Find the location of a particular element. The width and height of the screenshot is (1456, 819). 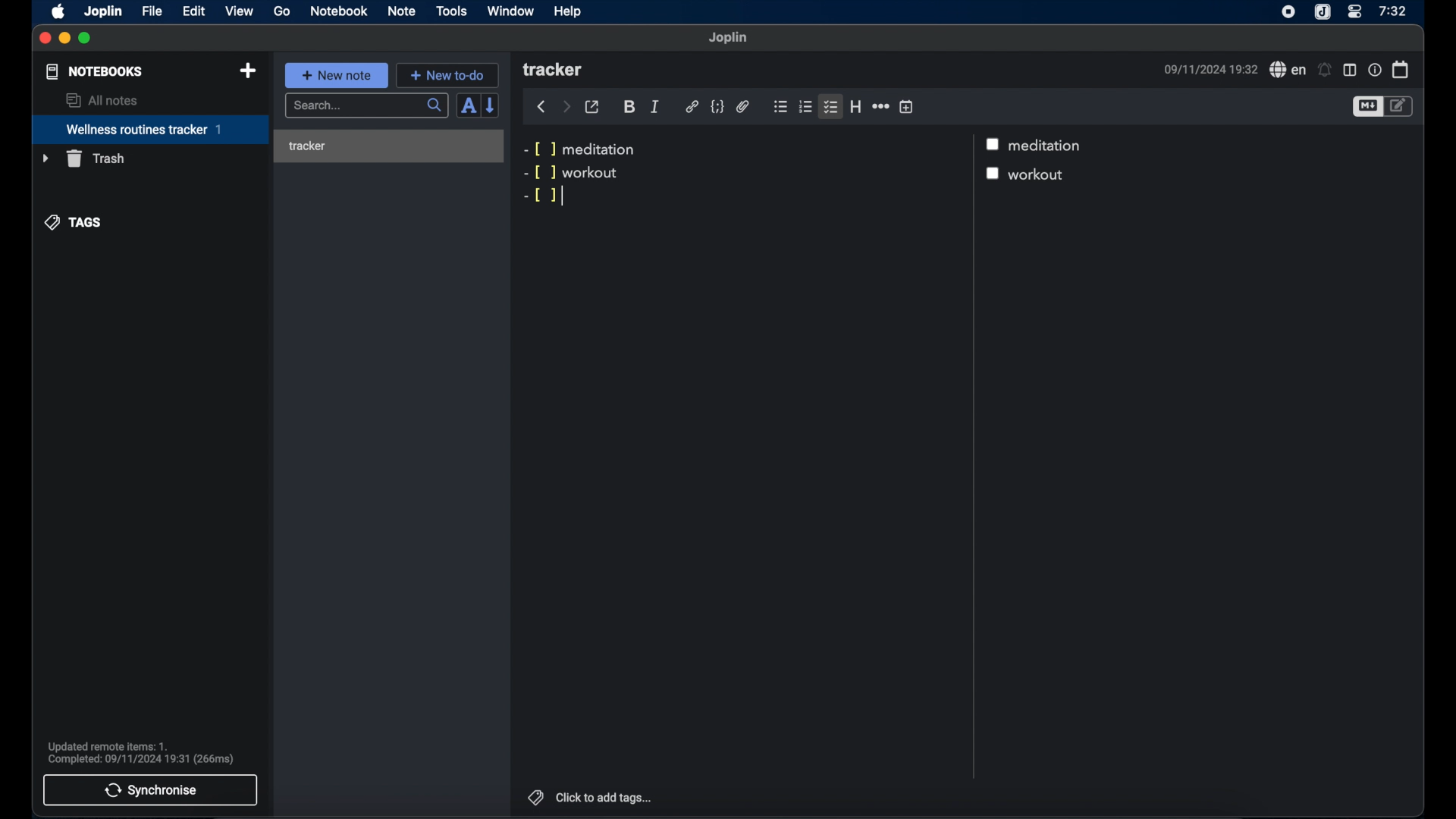

tags is located at coordinates (533, 795).